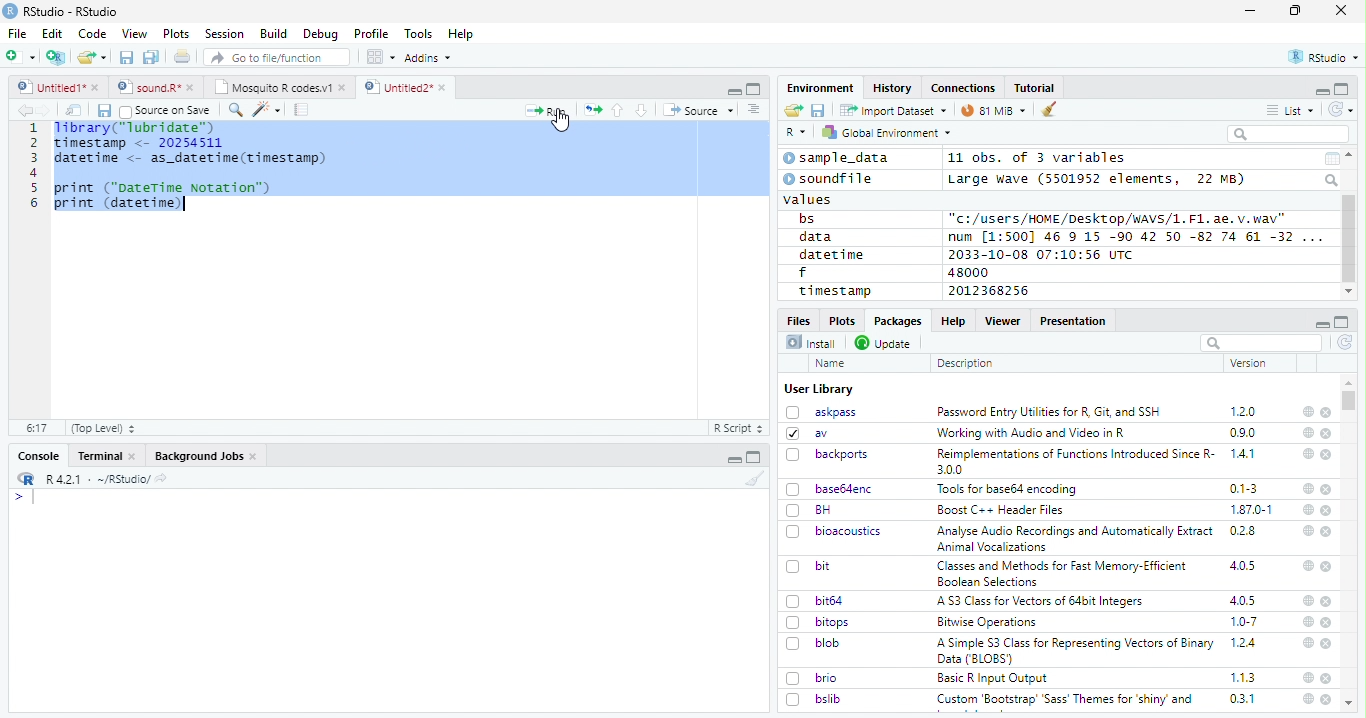  What do you see at coordinates (754, 457) in the screenshot?
I see `Full screen` at bounding box center [754, 457].